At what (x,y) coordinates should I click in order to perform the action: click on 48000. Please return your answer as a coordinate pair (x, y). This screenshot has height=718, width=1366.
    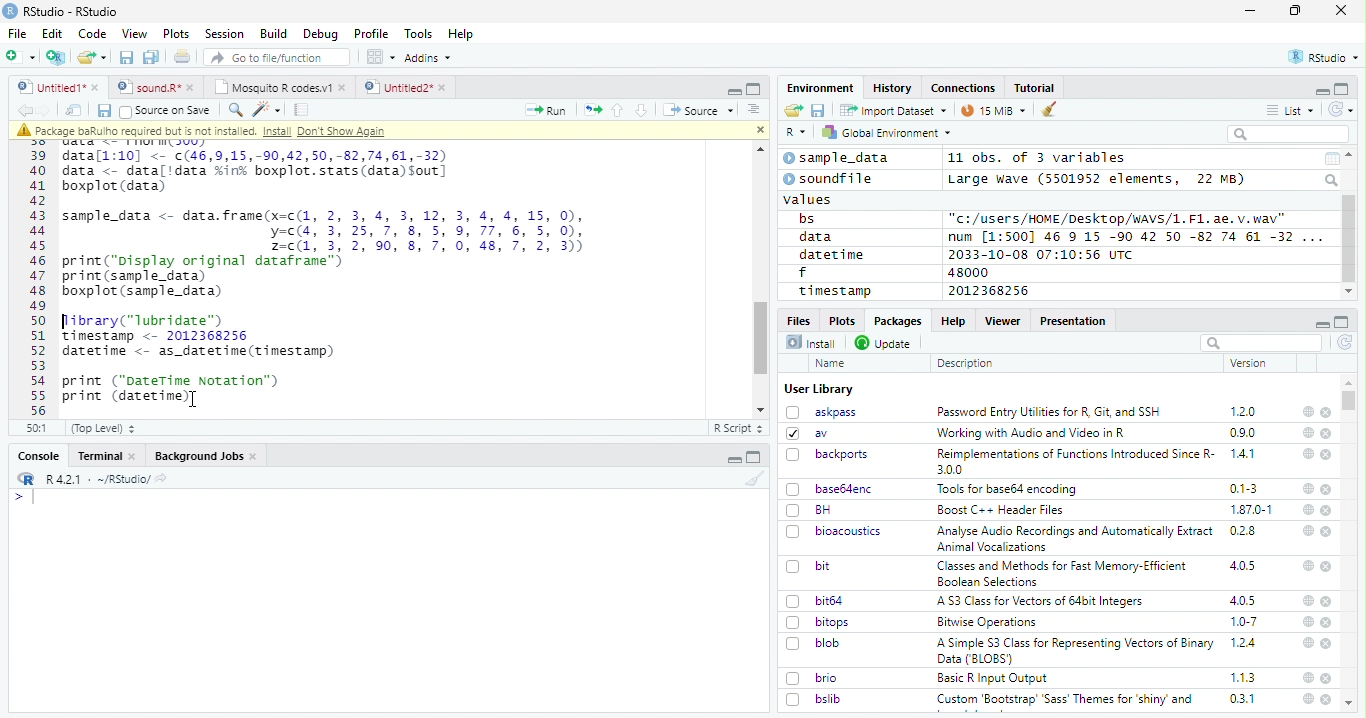
    Looking at the image, I should click on (966, 272).